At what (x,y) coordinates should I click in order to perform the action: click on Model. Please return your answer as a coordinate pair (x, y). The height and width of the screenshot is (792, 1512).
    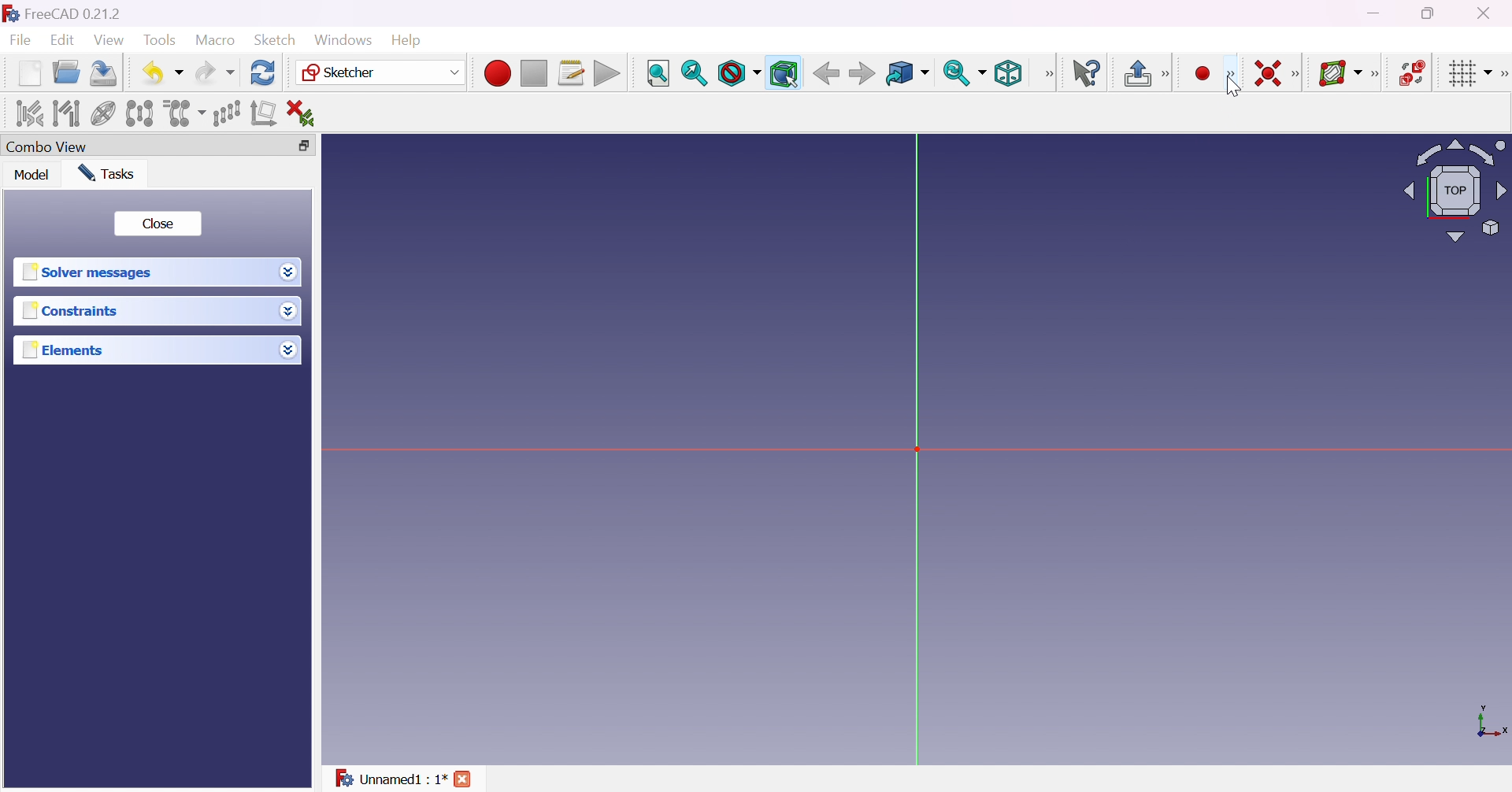
    Looking at the image, I should click on (31, 175).